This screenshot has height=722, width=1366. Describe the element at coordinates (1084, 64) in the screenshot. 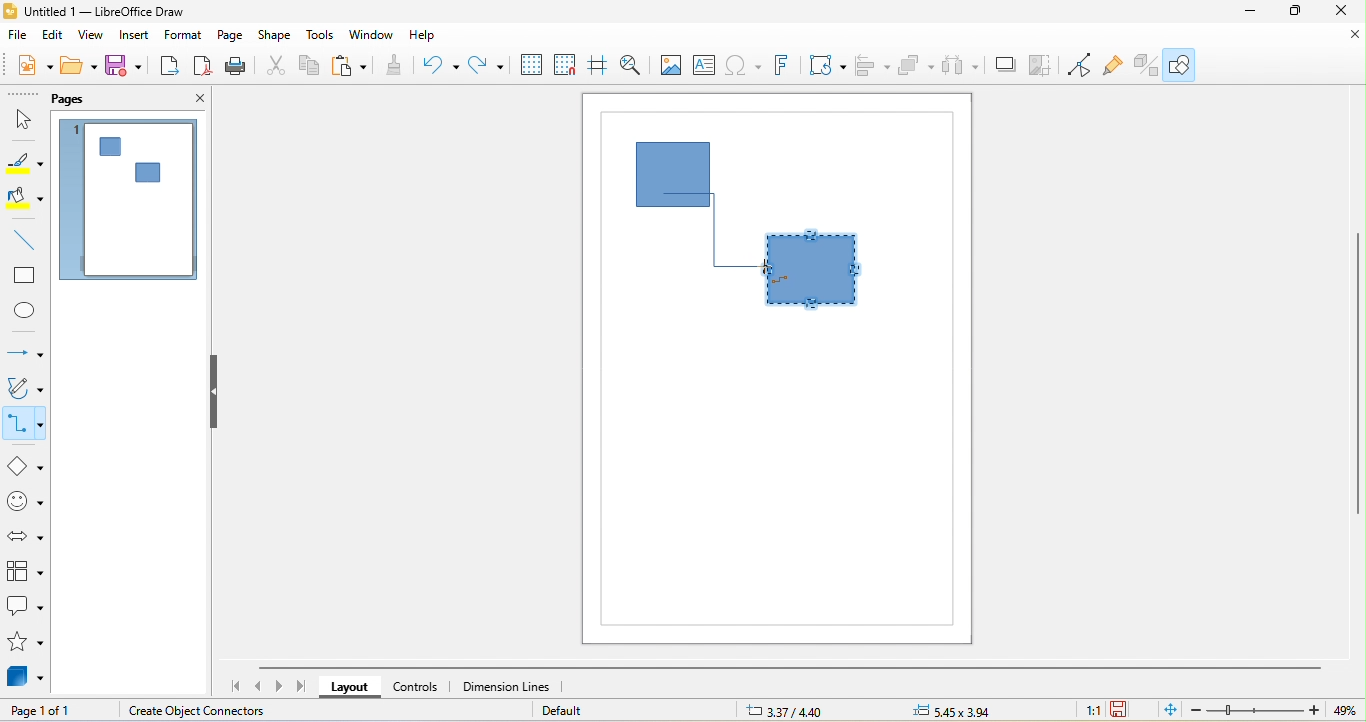

I see `toggle point edit mode` at that location.